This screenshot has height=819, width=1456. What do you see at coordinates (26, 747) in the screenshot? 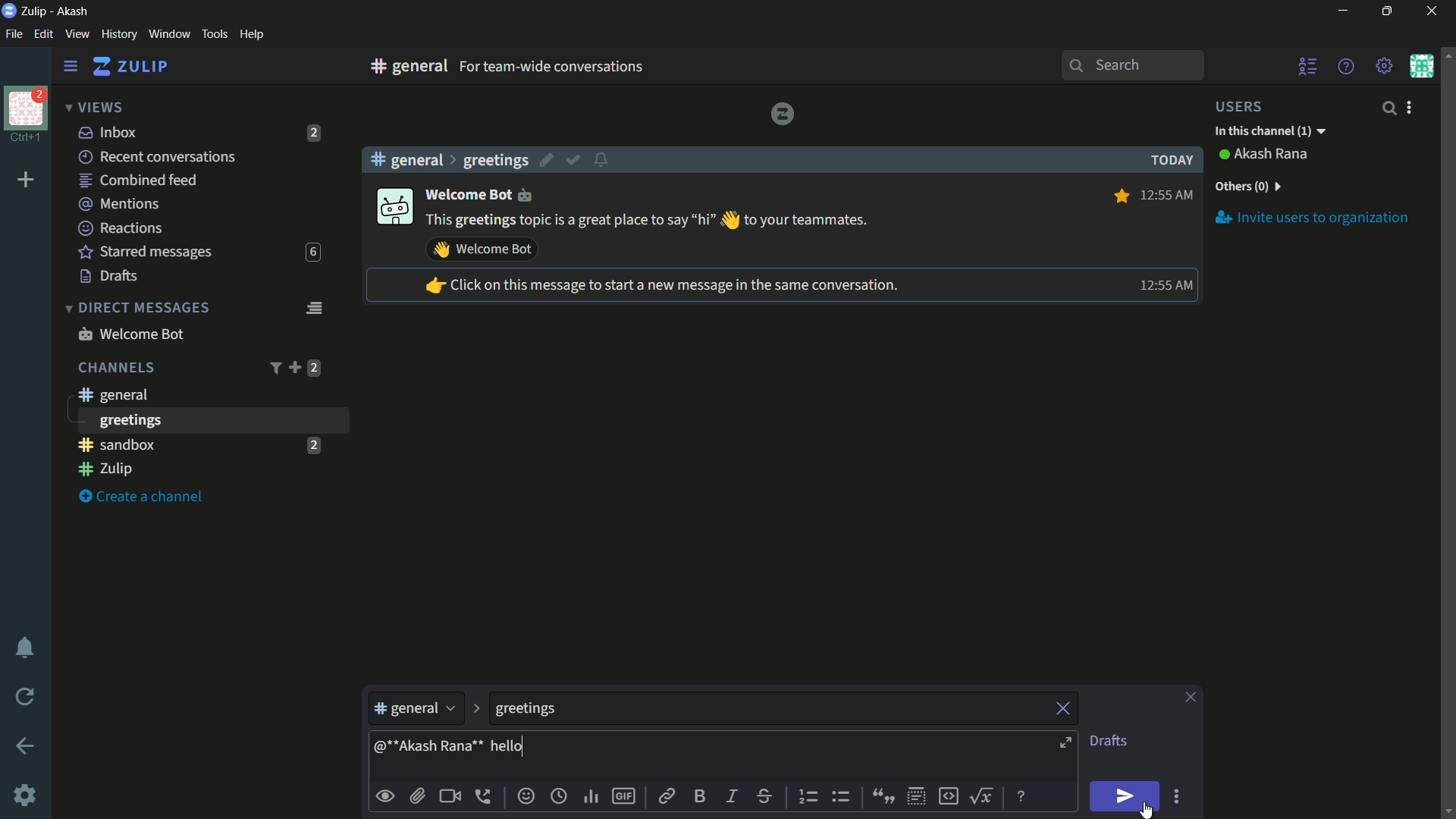
I see `go back` at bounding box center [26, 747].